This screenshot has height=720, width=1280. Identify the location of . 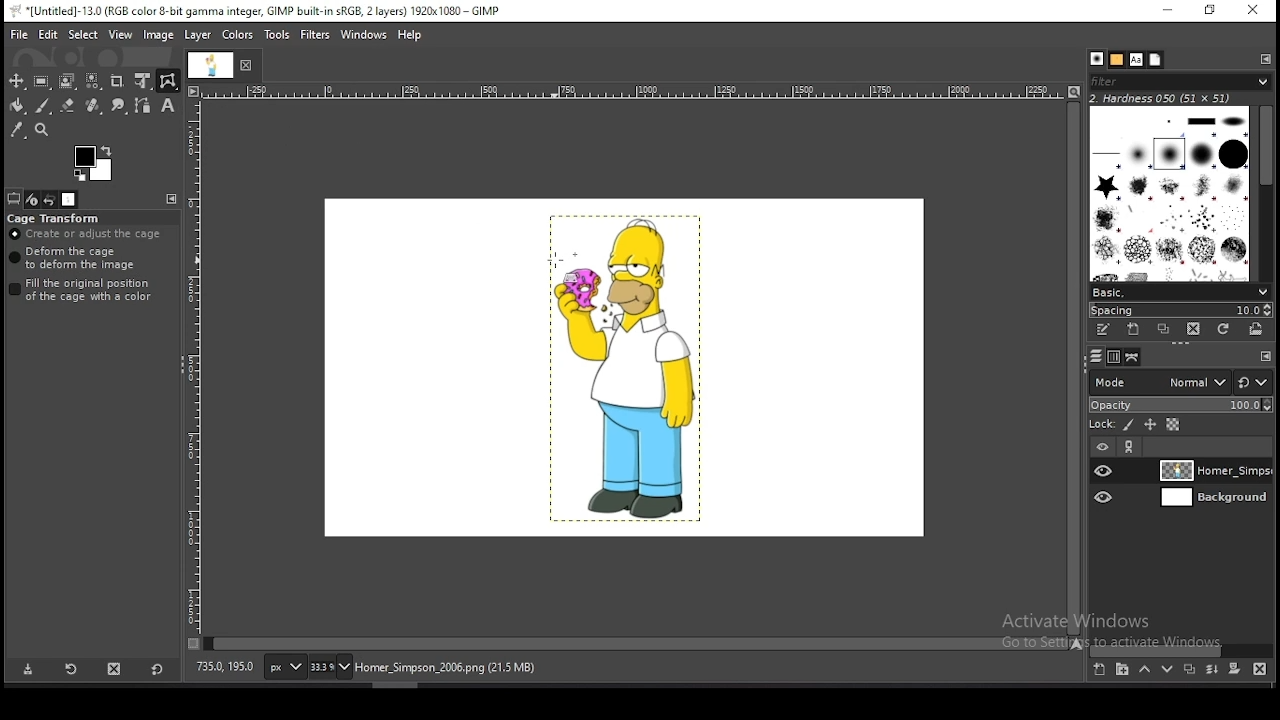
(1267, 356).